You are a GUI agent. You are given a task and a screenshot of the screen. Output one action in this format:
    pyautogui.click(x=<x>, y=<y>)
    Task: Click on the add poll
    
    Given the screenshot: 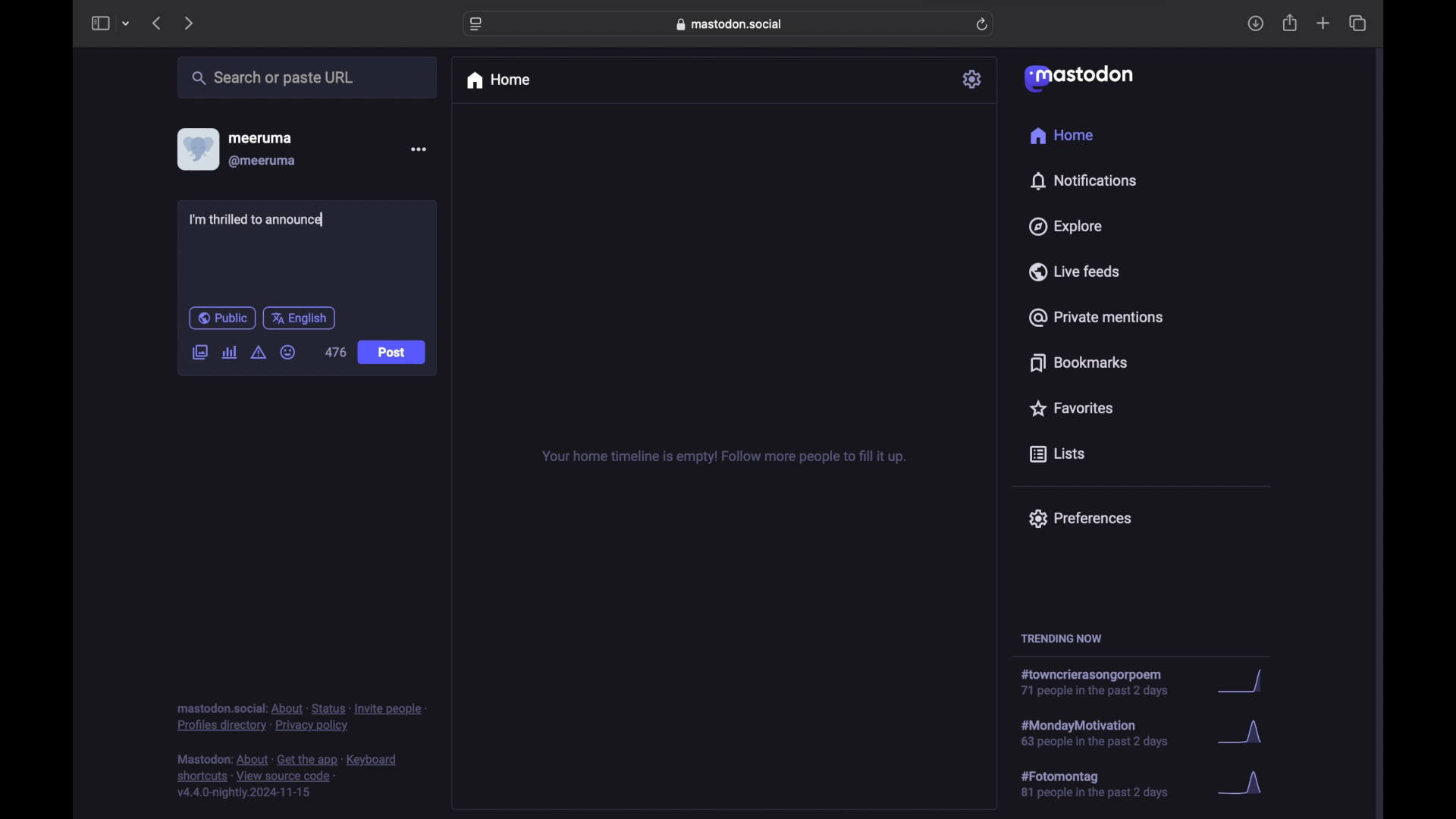 What is the action you would take?
    pyautogui.click(x=231, y=353)
    